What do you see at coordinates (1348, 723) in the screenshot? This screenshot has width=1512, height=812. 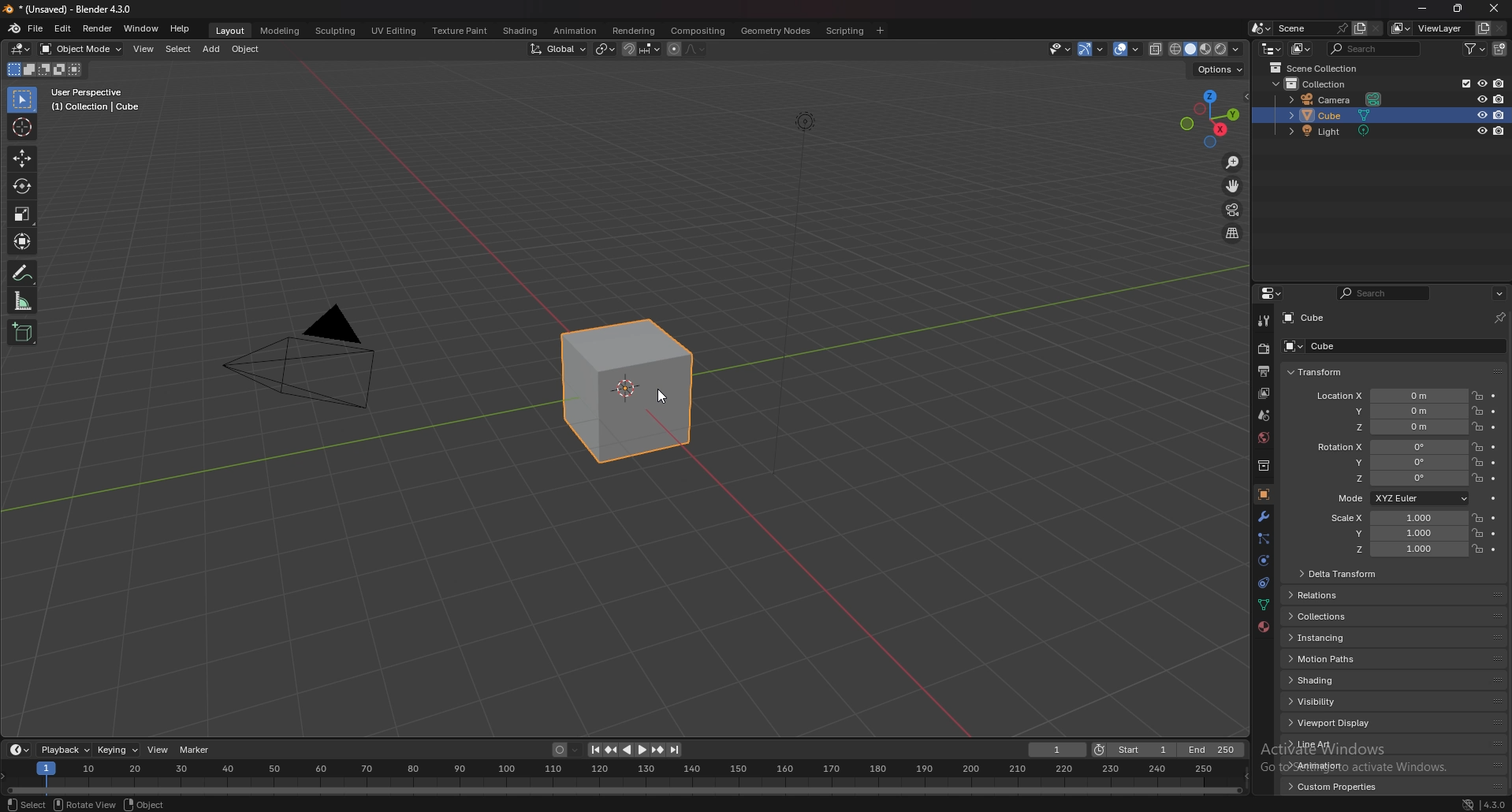 I see `viewport display` at bounding box center [1348, 723].